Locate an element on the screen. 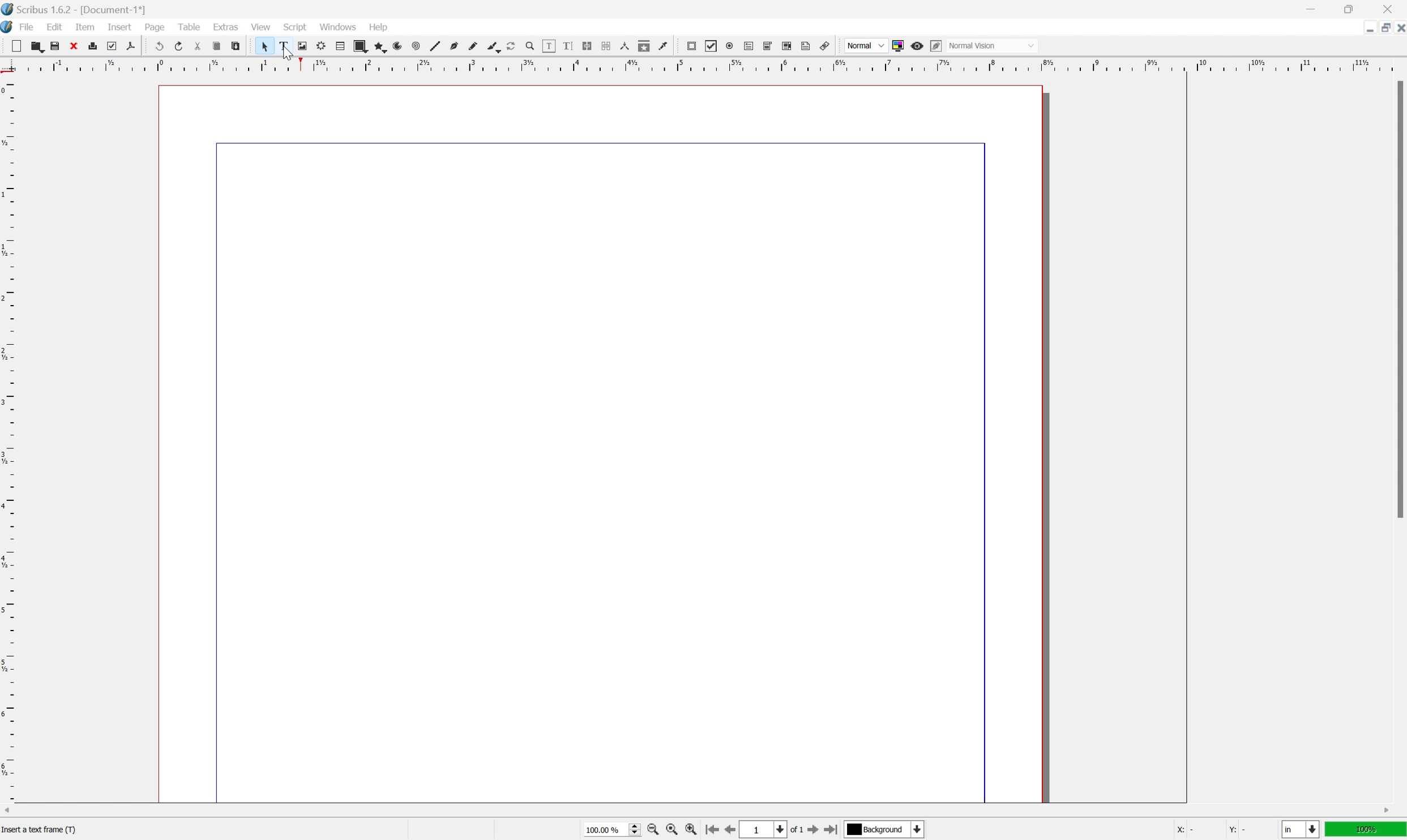 The image size is (1407, 840). ruler is located at coordinates (701, 64).